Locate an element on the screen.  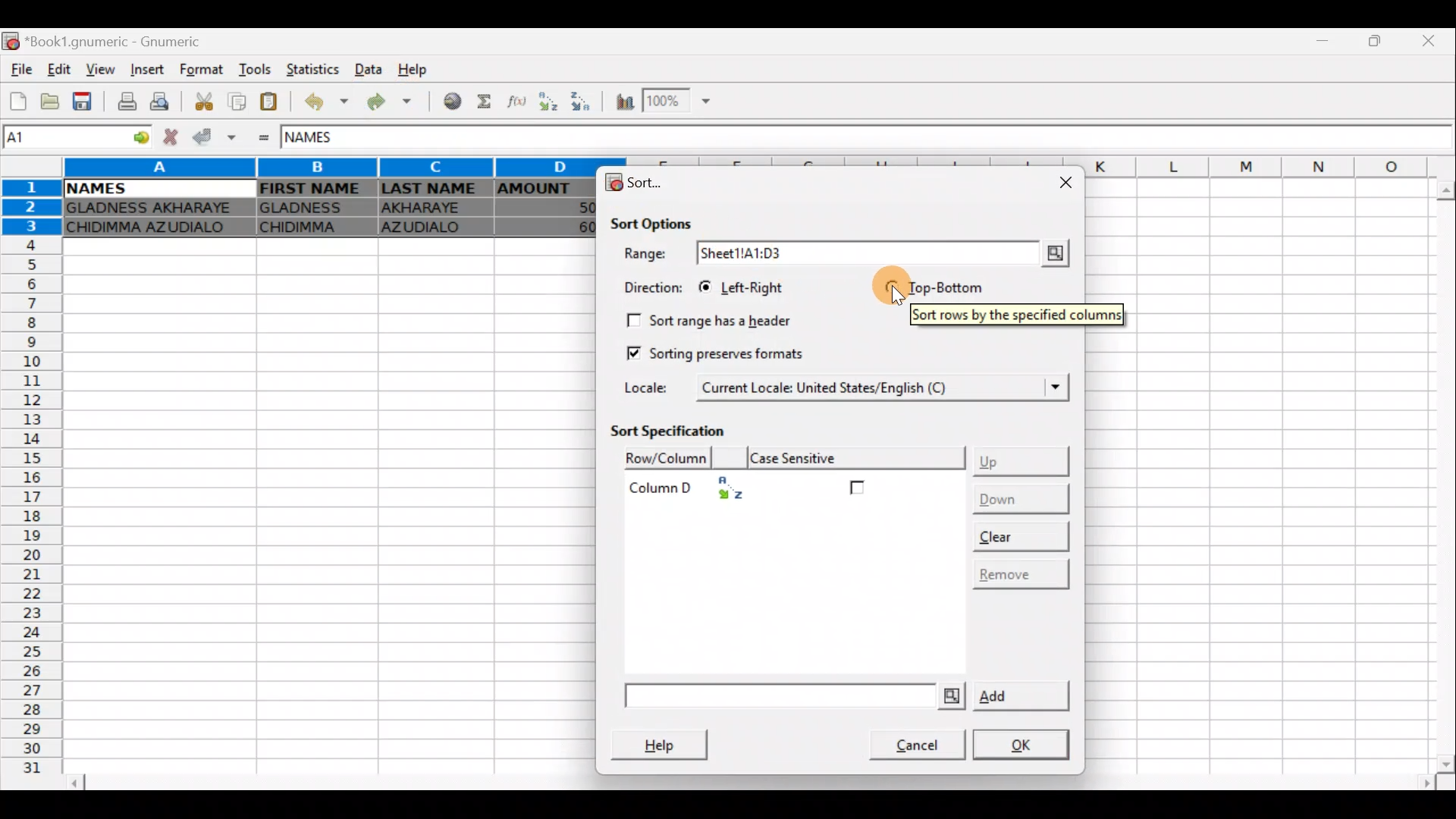
Close is located at coordinates (1434, 41).